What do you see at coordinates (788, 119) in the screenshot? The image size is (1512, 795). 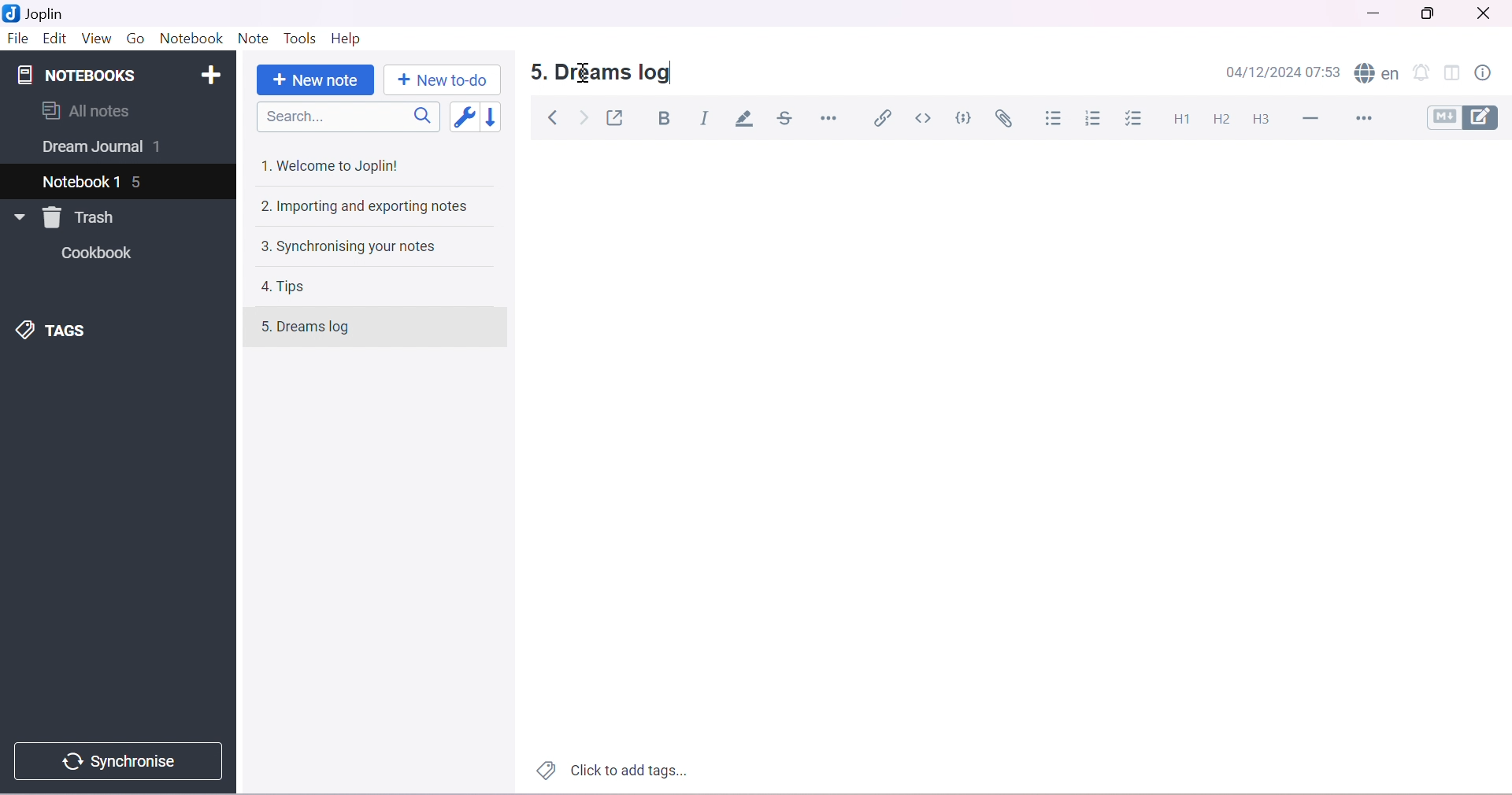 I see `Strikethrough` at bounding box center [788, 119].